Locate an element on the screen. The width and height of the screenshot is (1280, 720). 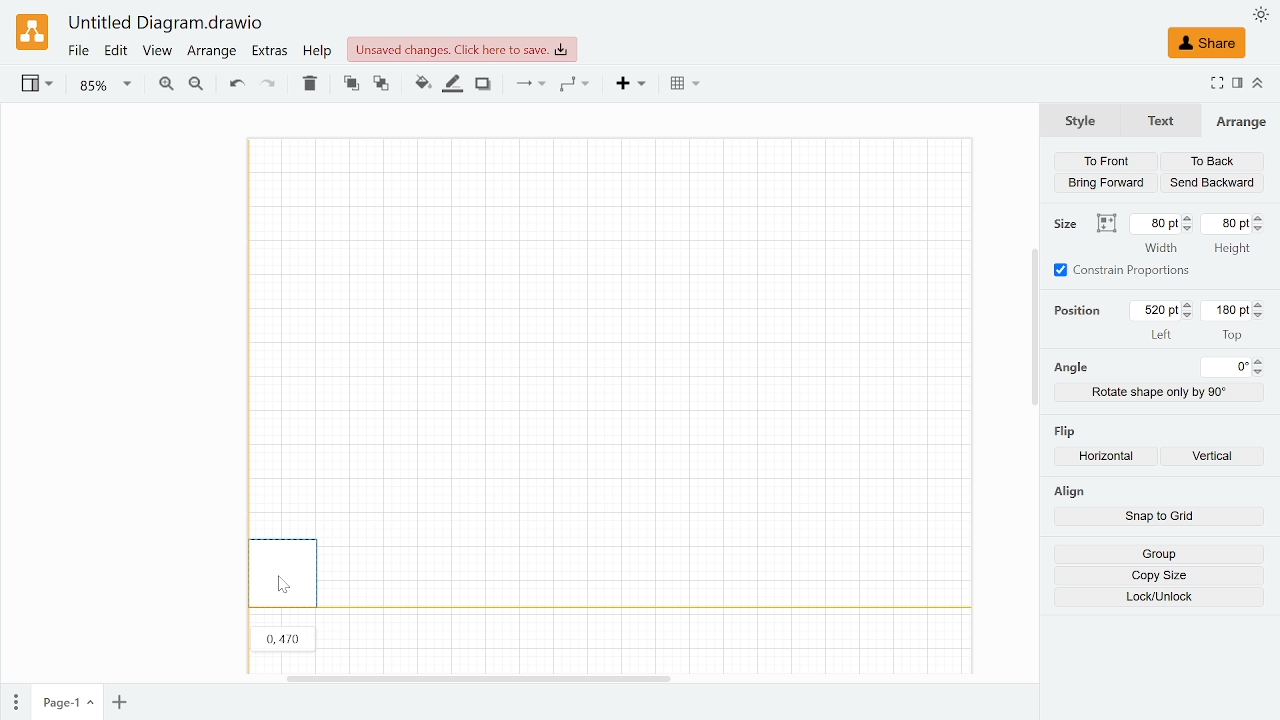
Draw.io logo is located at coordinates (34, 31).